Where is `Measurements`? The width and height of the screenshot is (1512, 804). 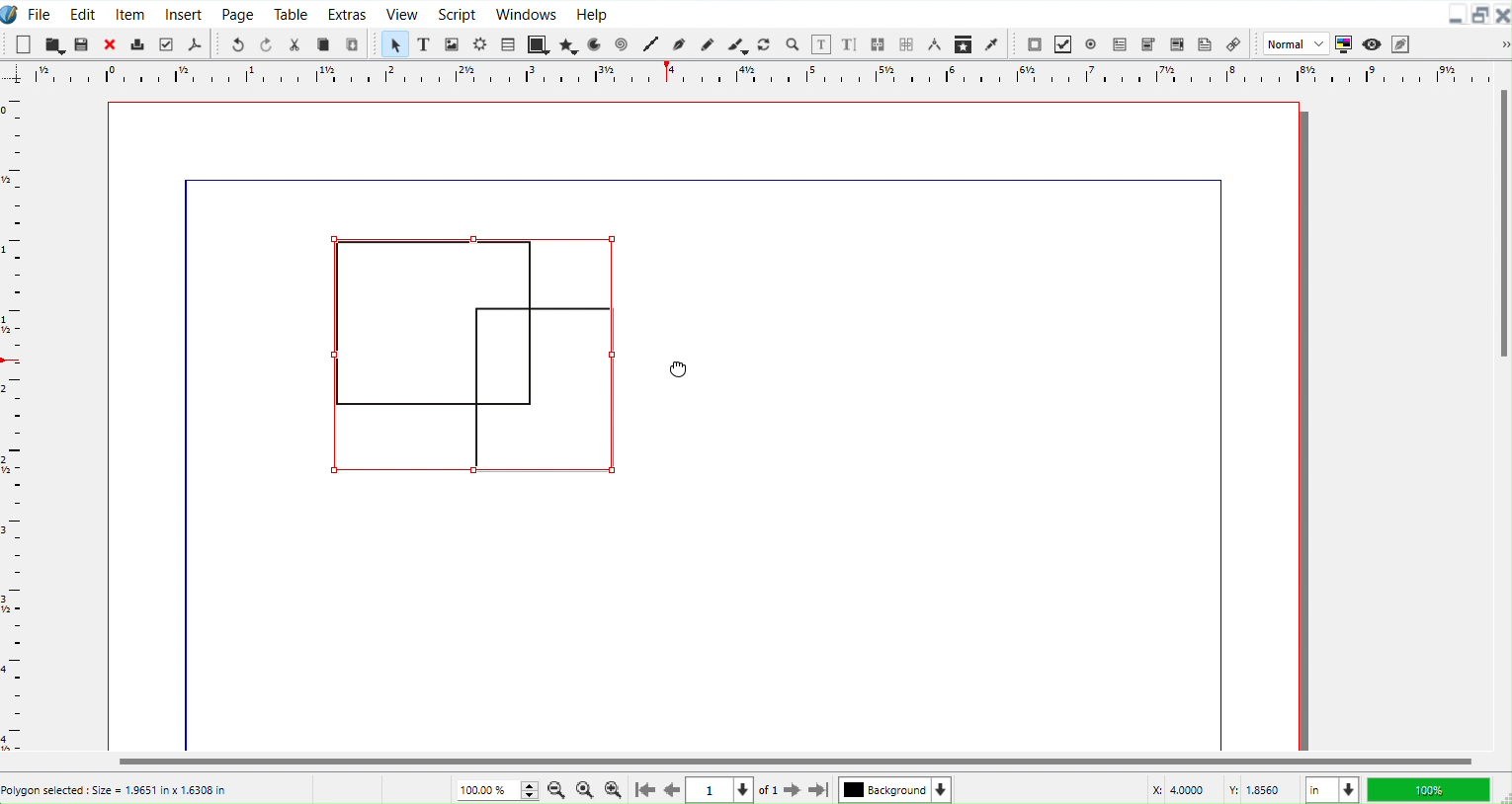
Measurements is located at coordinates (936, 45).